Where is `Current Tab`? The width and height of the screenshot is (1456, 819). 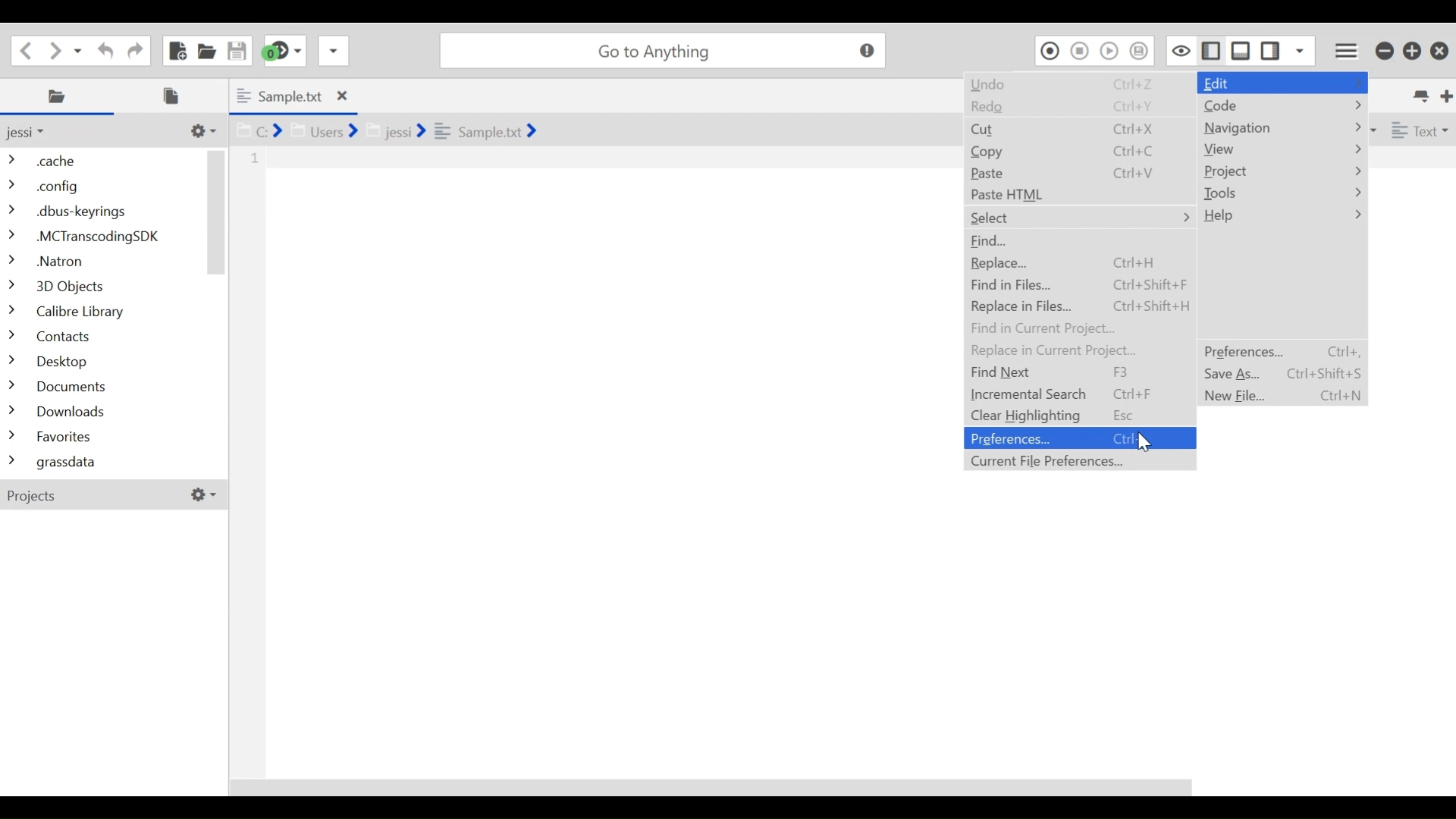 Current Tab is located at coordinates (292, 96).